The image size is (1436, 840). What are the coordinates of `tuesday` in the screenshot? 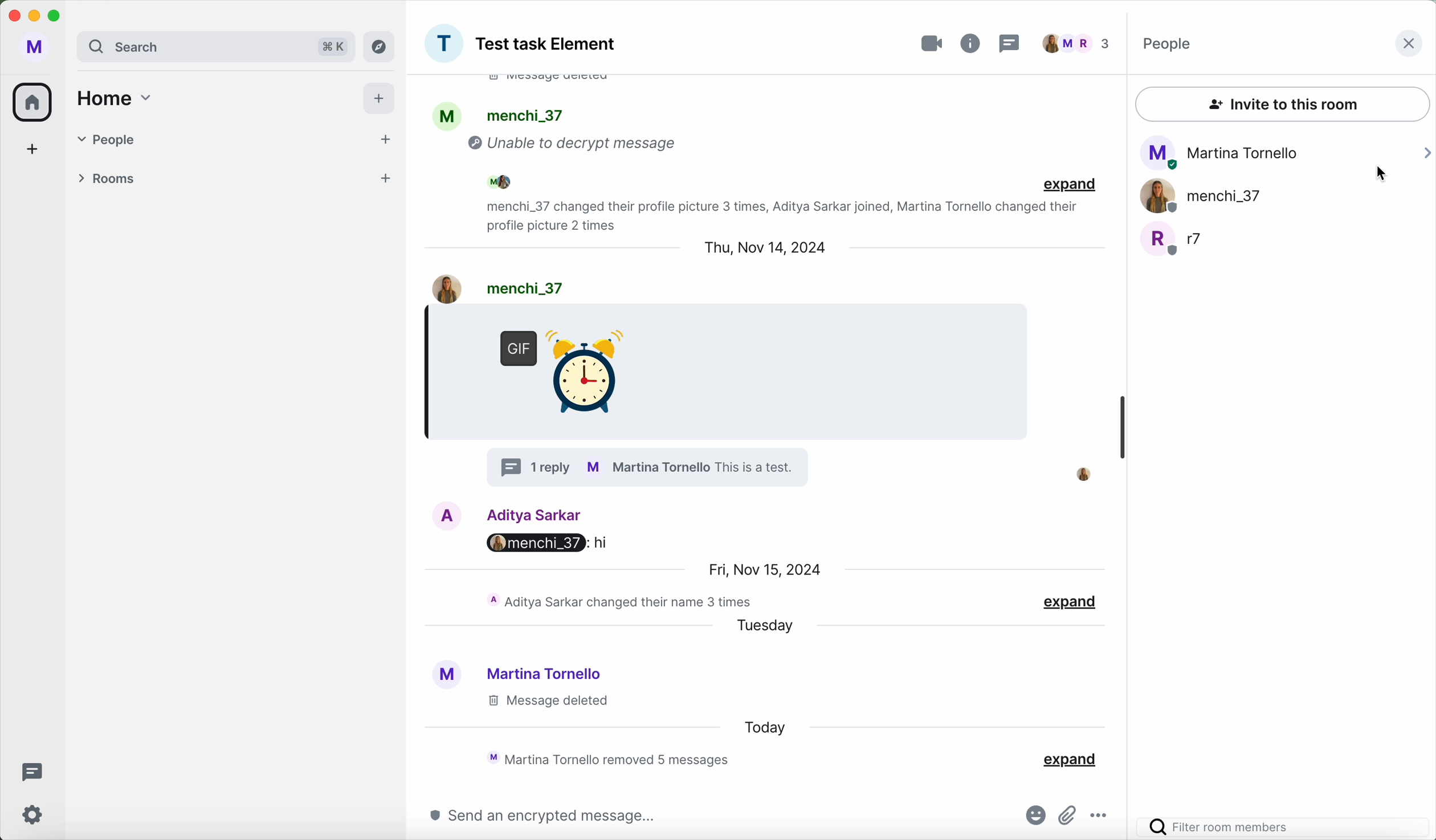 It's located at (765, 629).